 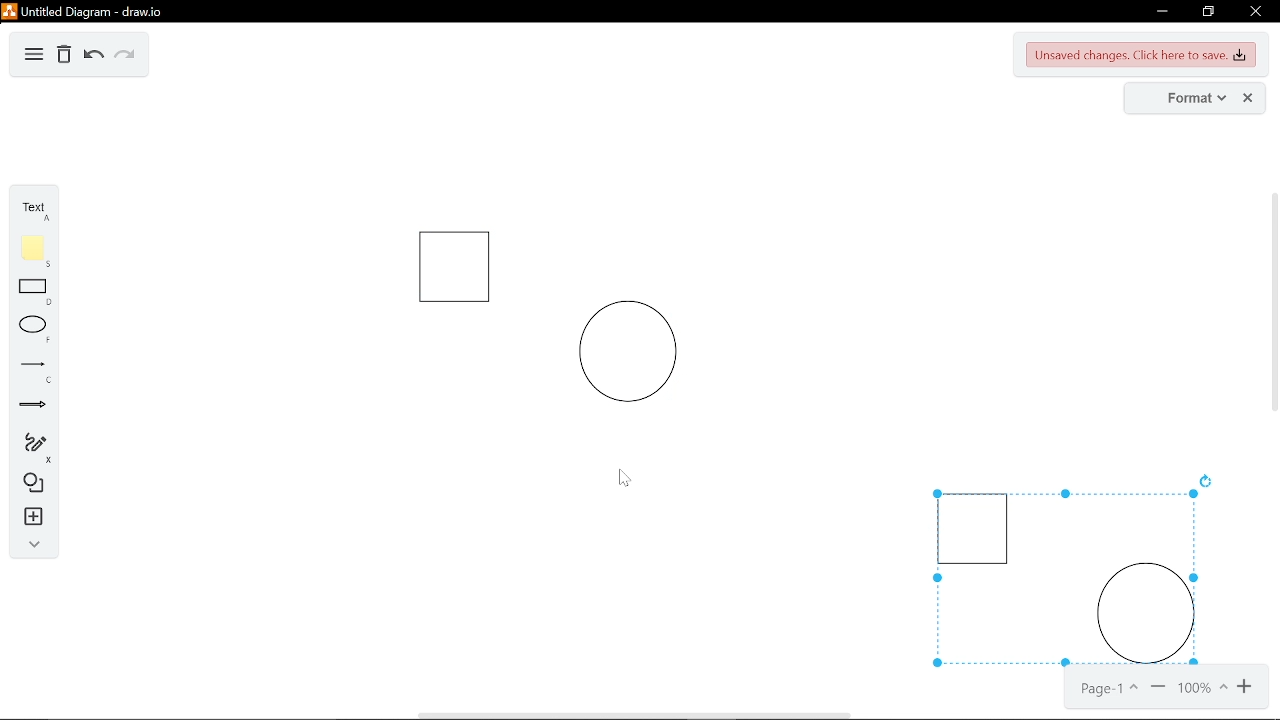 I want to click on redo, so click(x=124, y=55).